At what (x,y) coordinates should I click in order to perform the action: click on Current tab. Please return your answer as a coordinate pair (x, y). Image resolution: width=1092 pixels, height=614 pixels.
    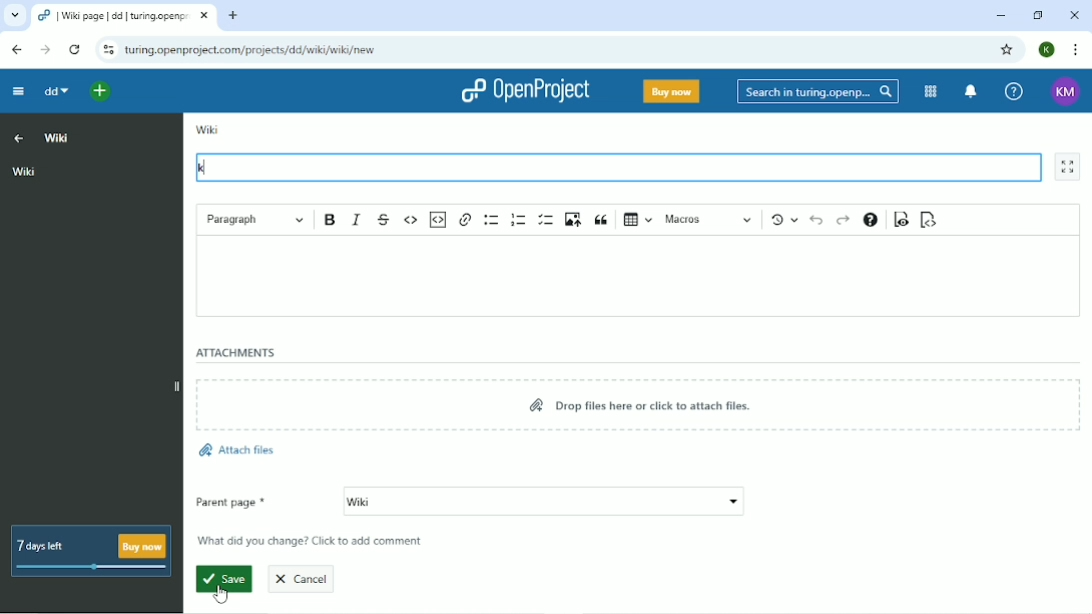
    Looking at the image, I should click on (126, 16).